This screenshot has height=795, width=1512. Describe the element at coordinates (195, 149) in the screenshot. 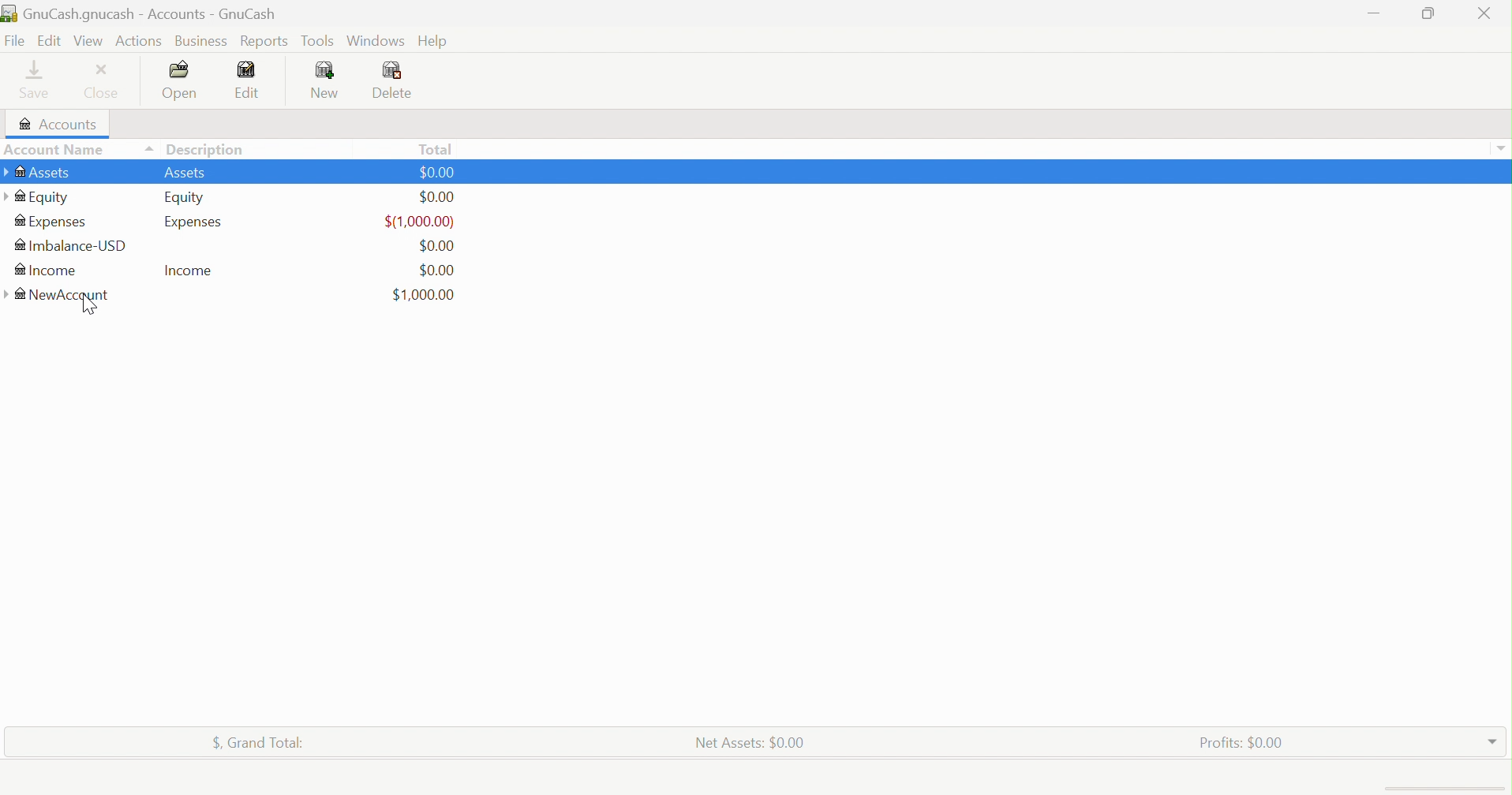

I see `Description` at that location.